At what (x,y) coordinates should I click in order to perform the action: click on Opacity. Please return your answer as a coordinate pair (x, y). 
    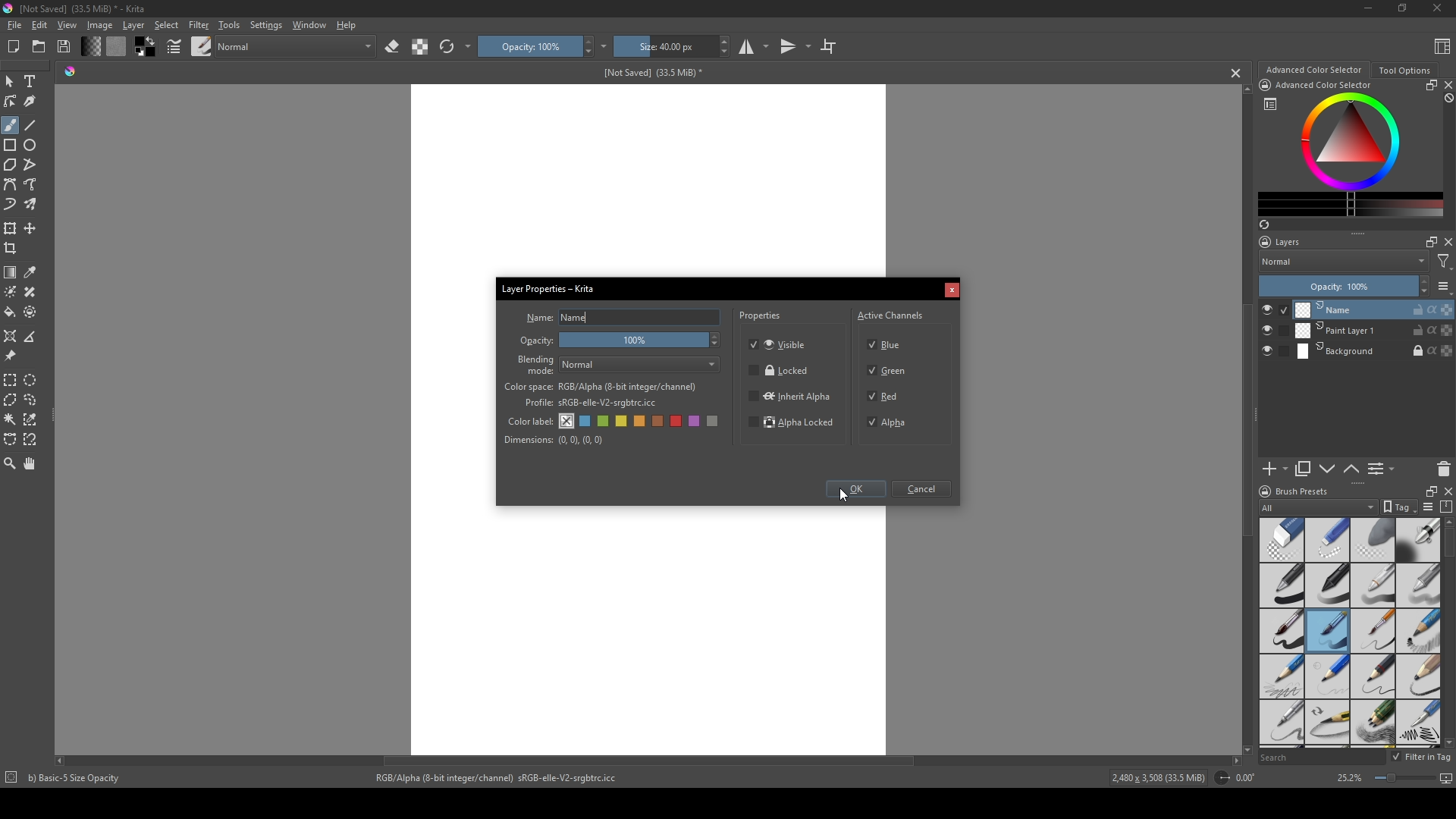
    Looking at the image, I should click on (529, 46).